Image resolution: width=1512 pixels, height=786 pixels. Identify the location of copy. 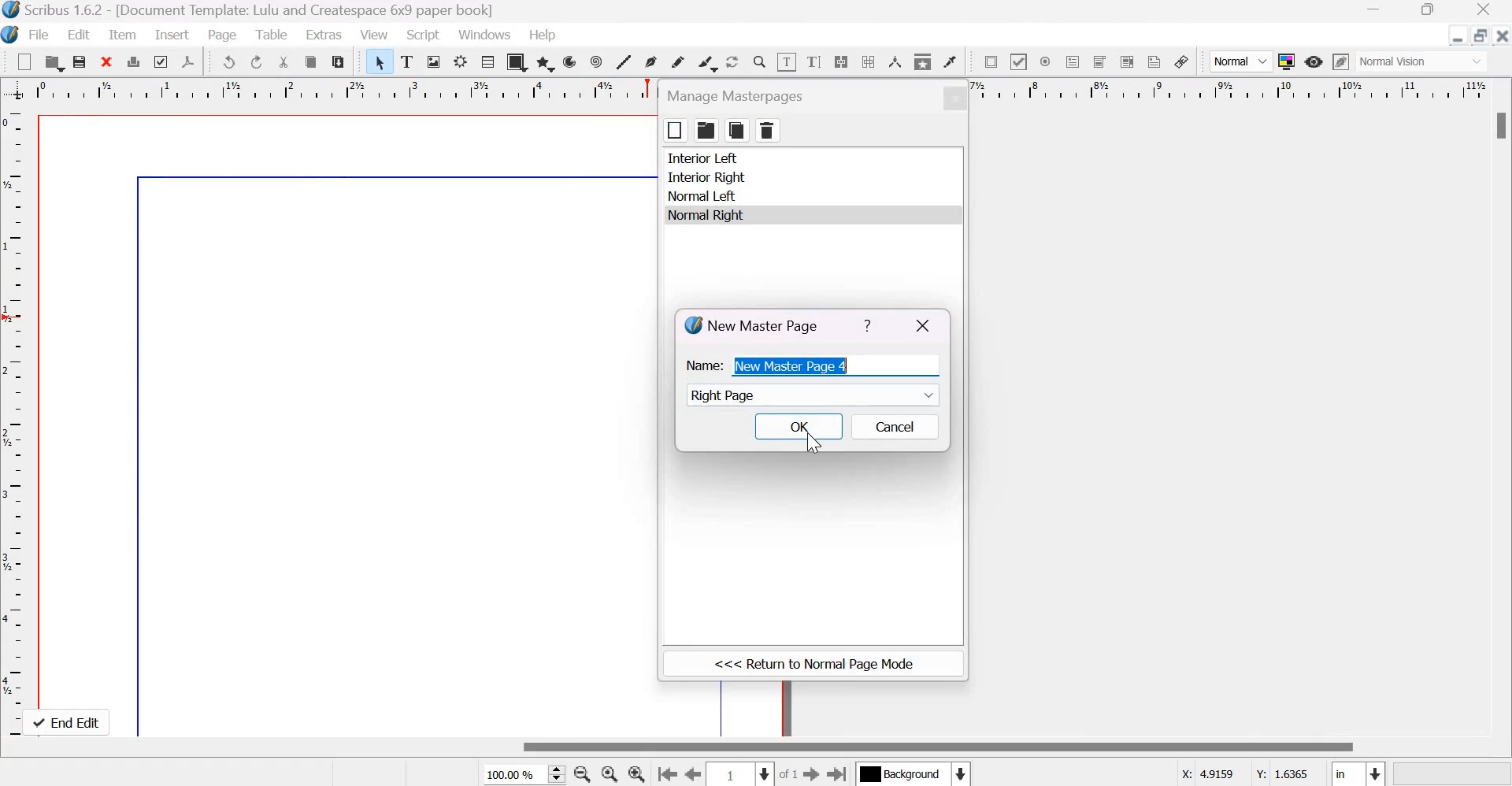
(737, 130).